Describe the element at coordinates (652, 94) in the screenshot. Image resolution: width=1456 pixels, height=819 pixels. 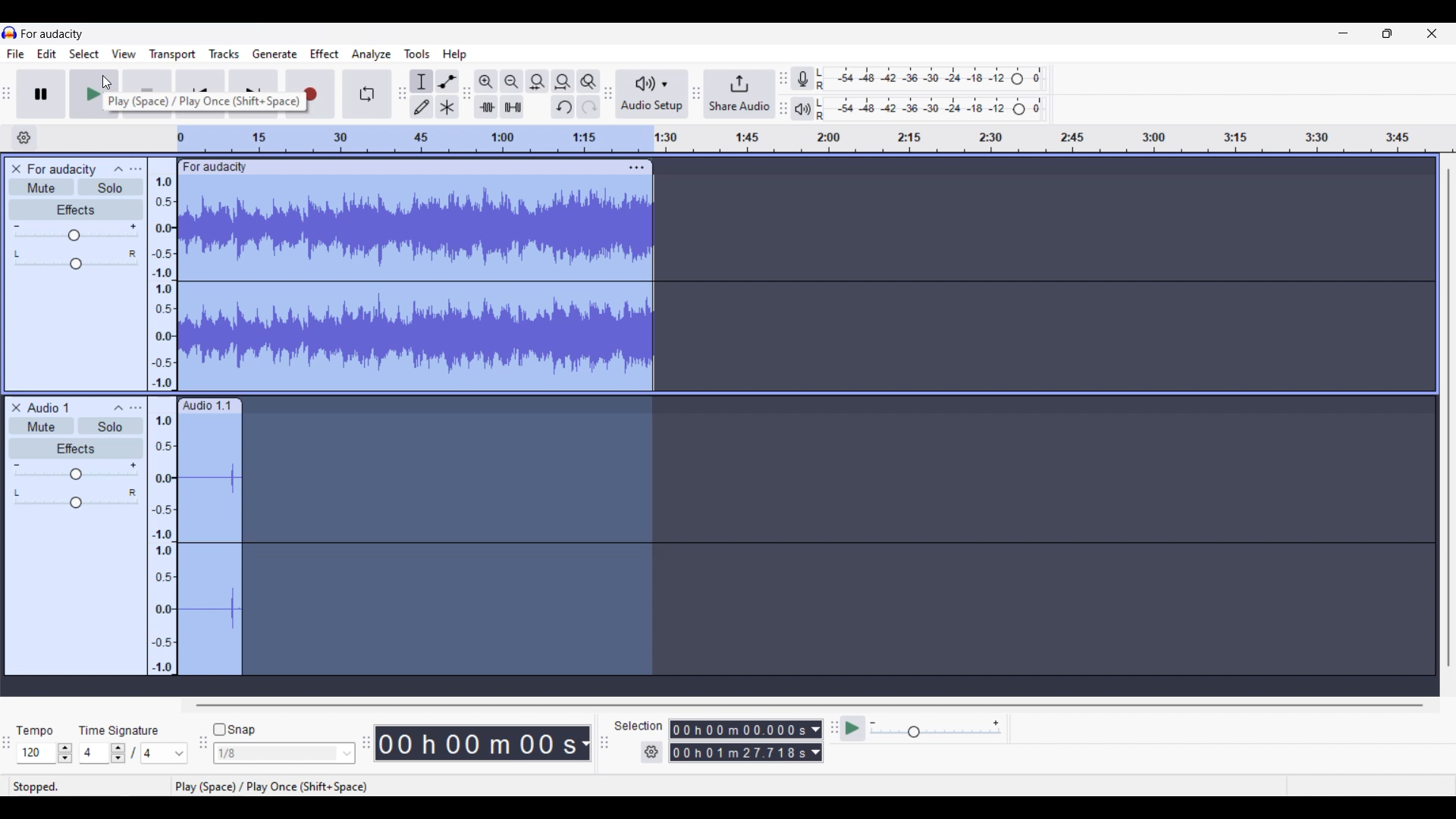
I see `Audio setup` at that location.